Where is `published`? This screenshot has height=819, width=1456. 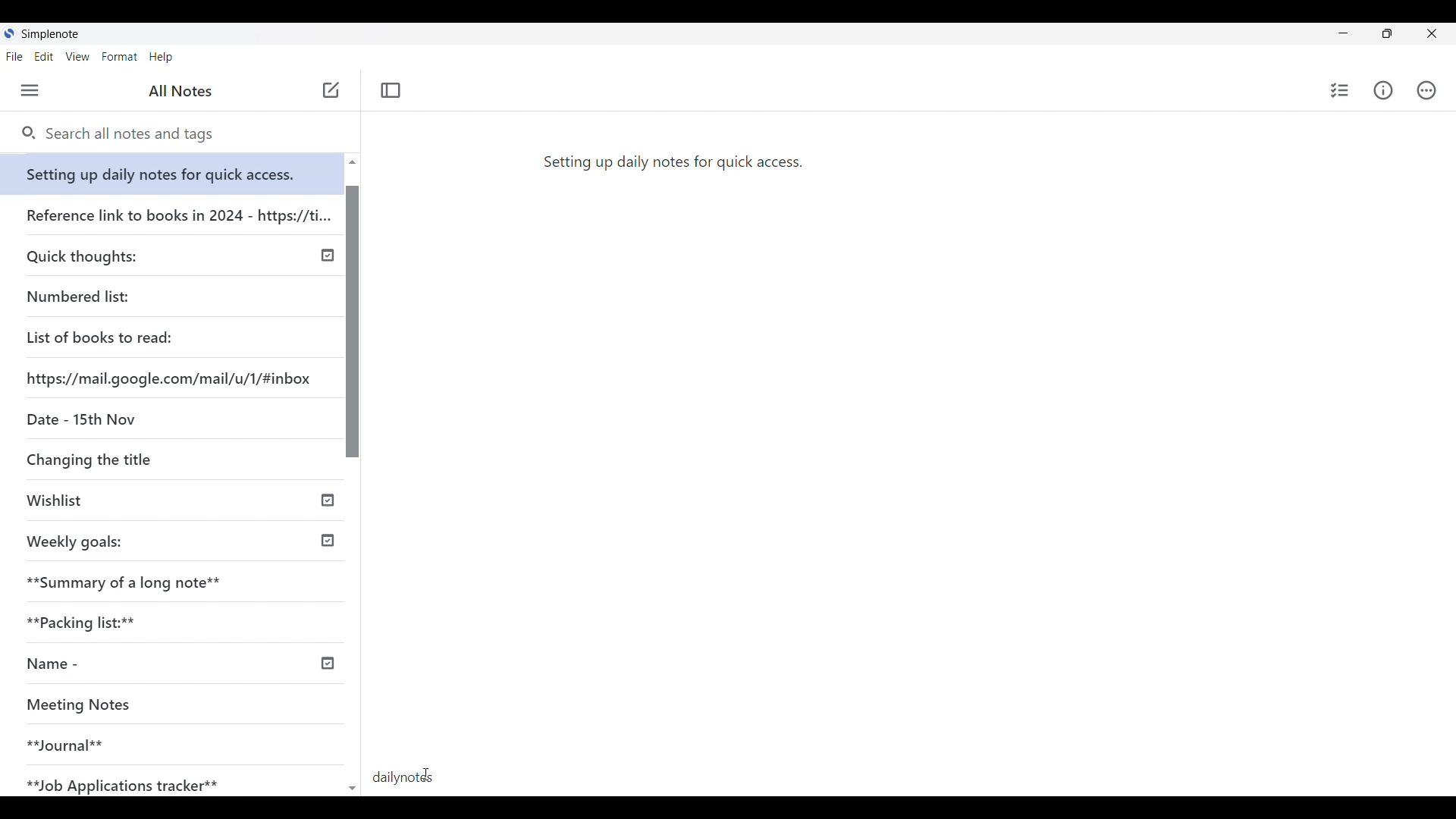
published is located at coordinates (326, 664).